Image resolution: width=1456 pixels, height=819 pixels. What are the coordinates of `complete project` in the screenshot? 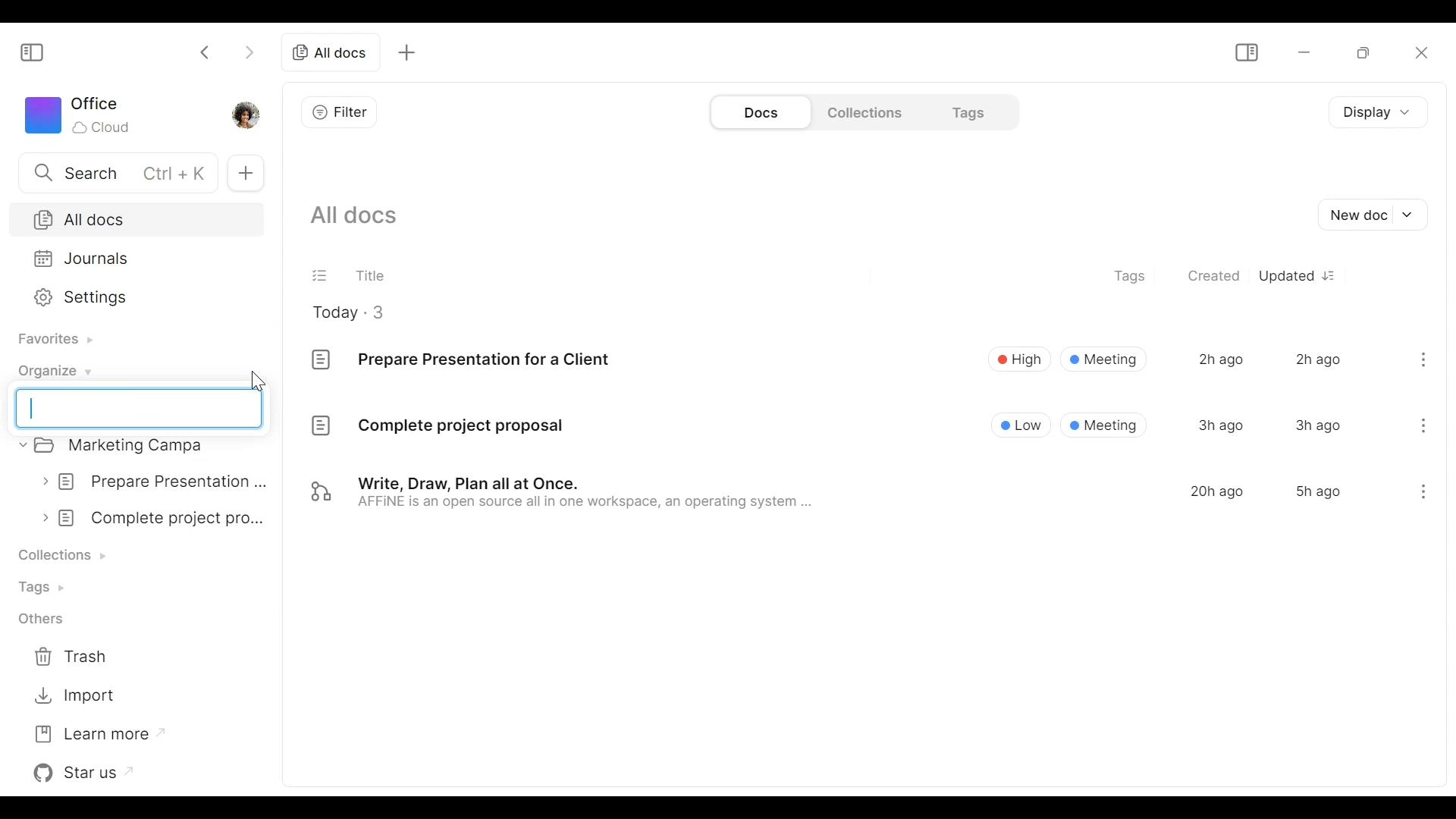 It's located at (156, 517).